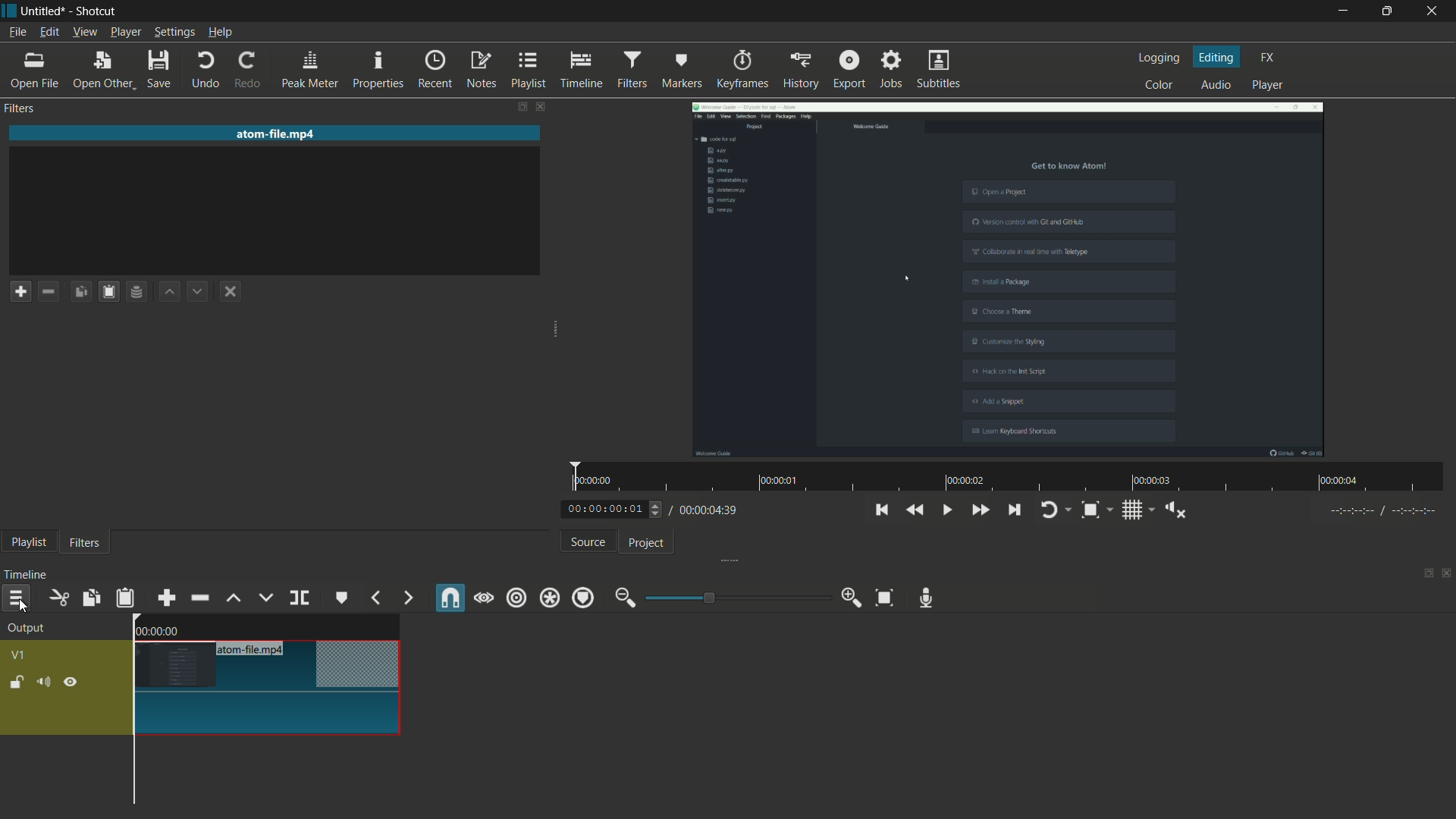  Describe the element at coordinates (1013, 509) in the screenshot. I see `skip to the next point` at that location.